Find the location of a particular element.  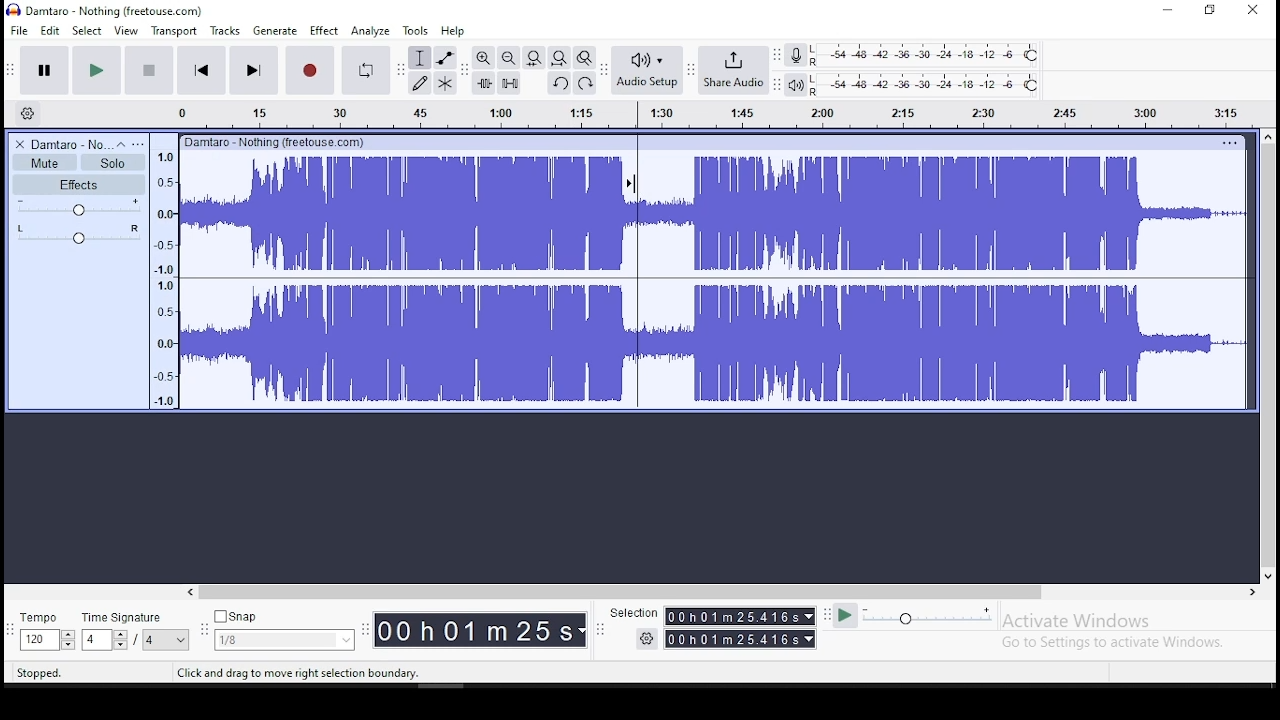

time menu is located at coordinates (739, 616).